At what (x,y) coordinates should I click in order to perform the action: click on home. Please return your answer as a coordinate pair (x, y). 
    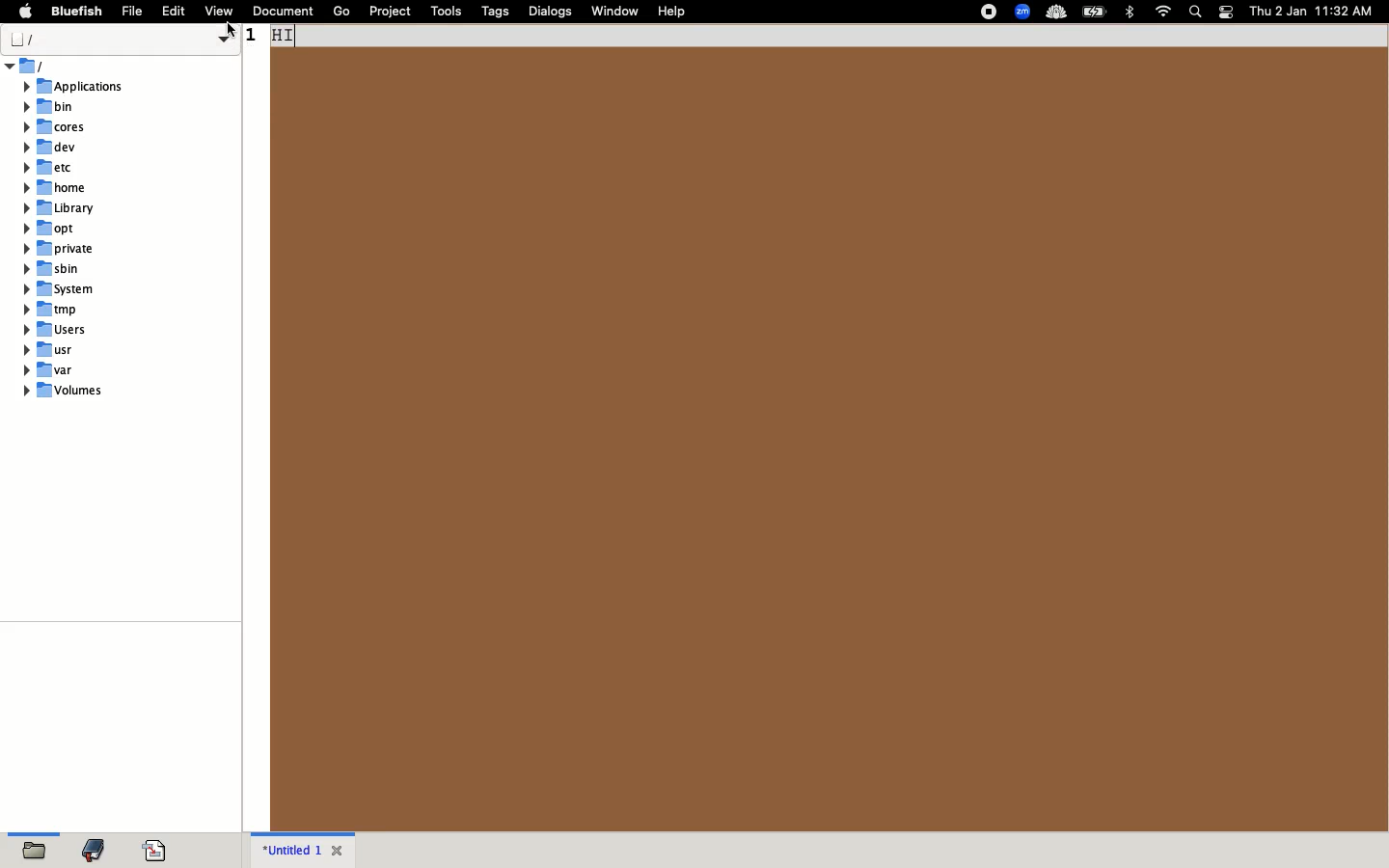
    Looking at the image, I should click on (55, 187).